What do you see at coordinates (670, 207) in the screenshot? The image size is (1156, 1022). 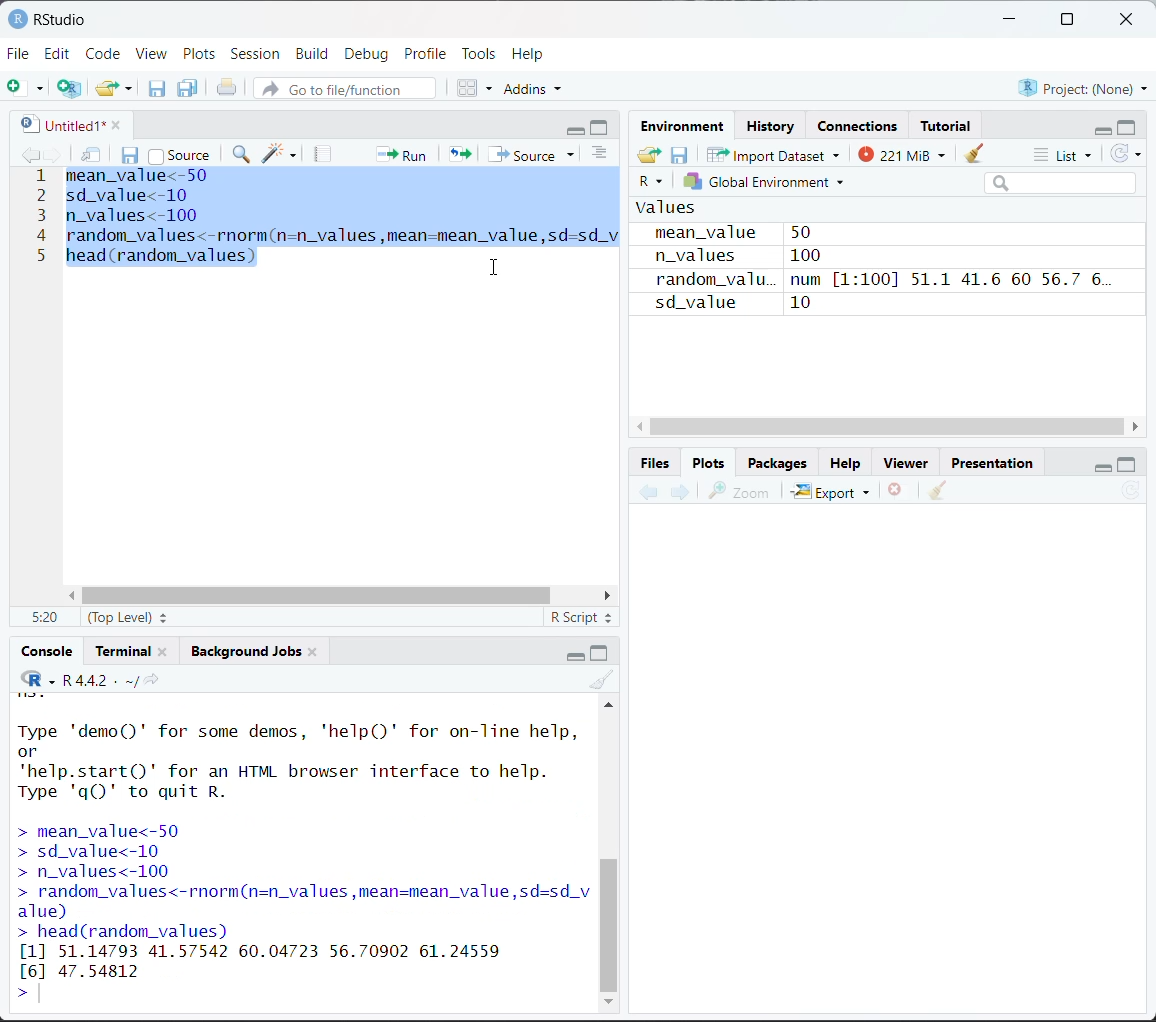 I see `Values` at bounding box center [670, 207].